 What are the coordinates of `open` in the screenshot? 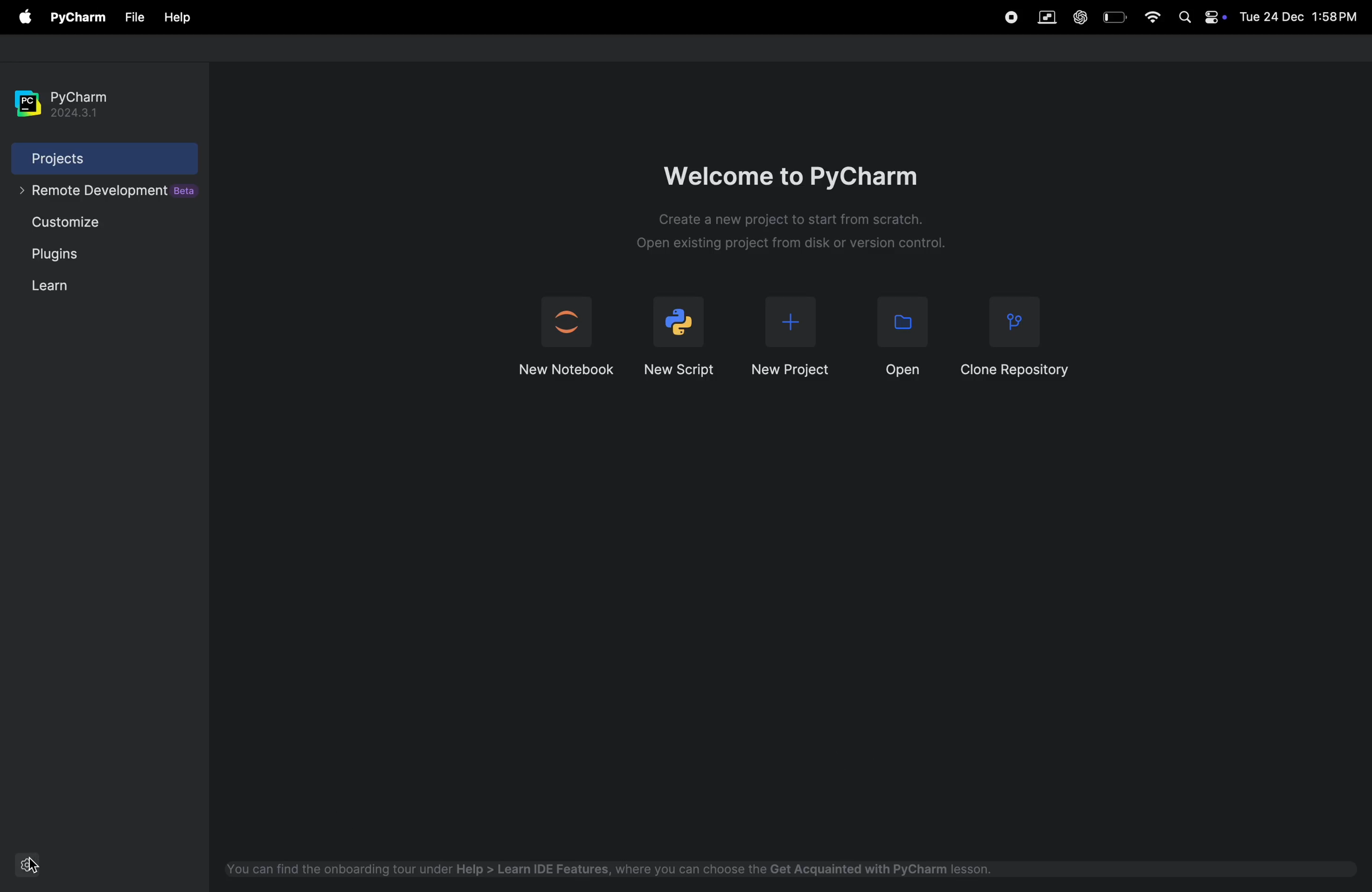 It's located at (895, 337).